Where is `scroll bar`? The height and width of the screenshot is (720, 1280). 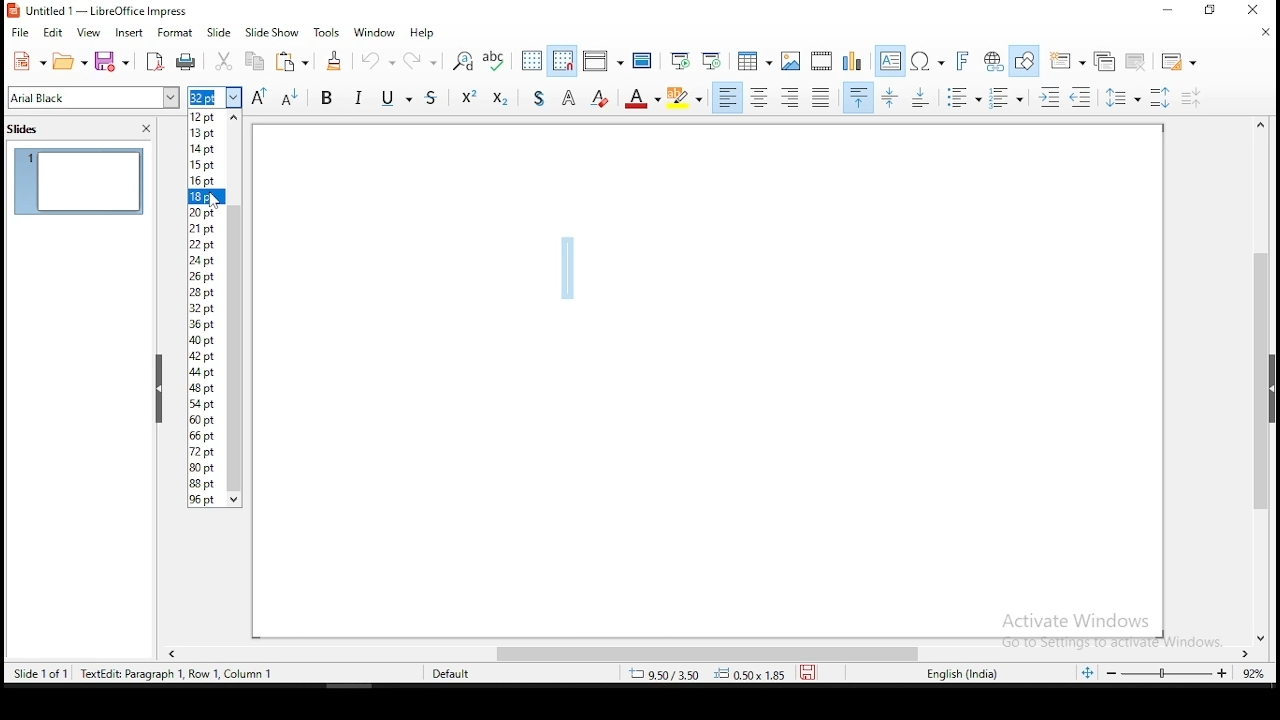
scroll bar is located at coordinates (1263, 380).